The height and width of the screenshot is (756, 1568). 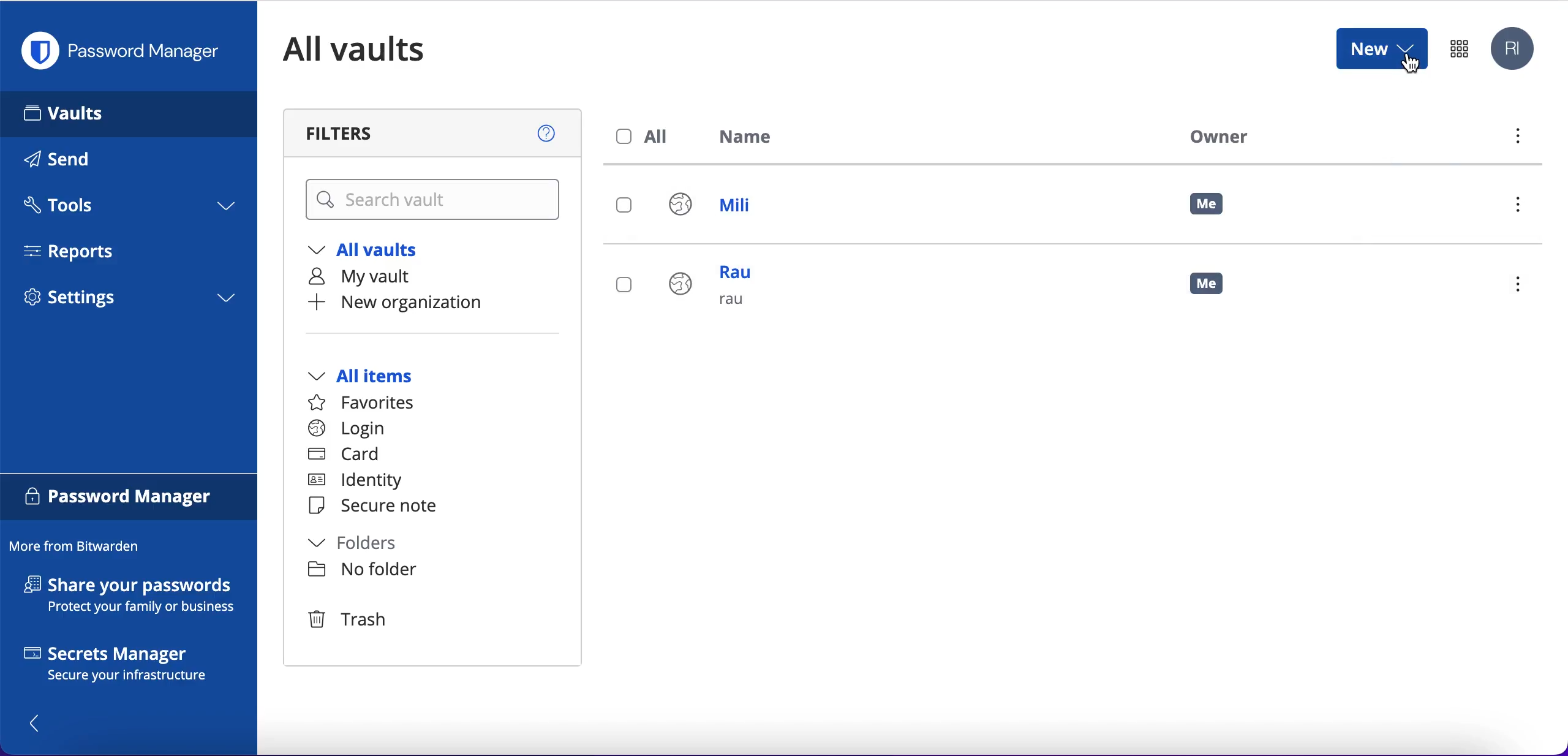 I want to click on menu , so click(x=1523, y=208).